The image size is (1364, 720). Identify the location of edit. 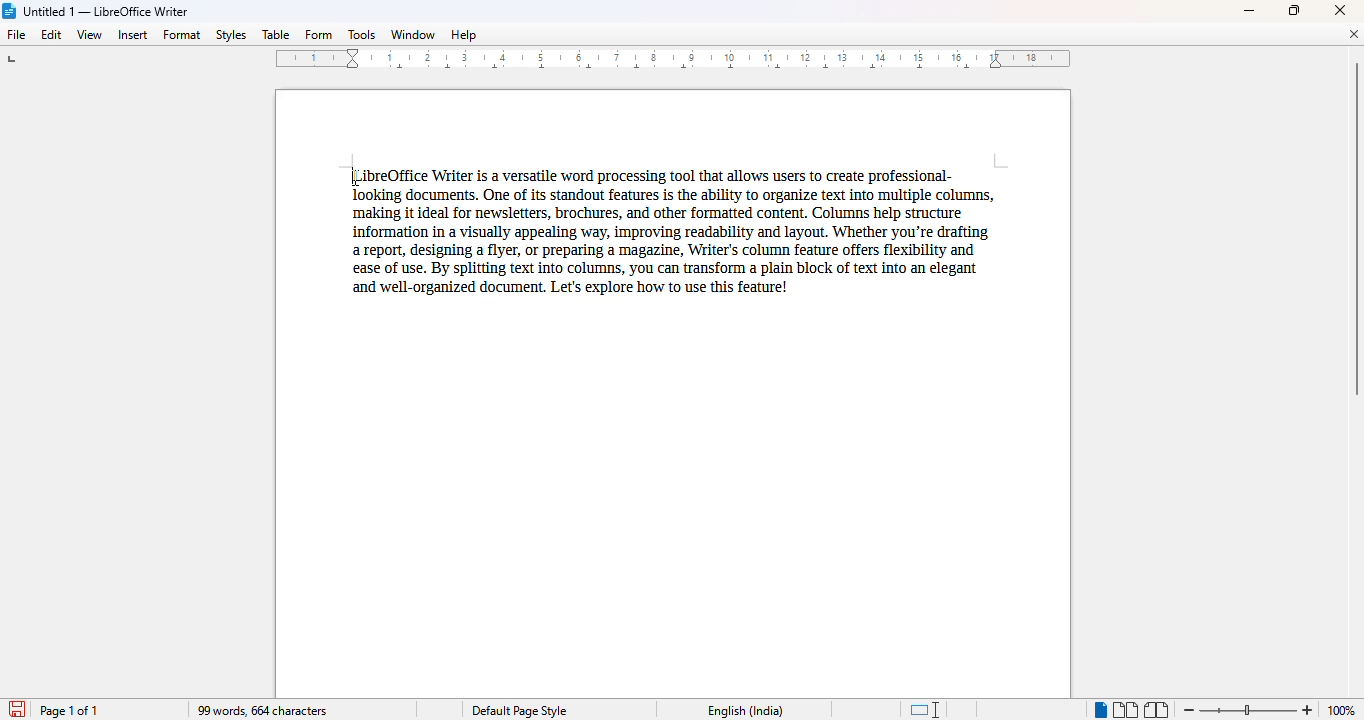
(52, 34).